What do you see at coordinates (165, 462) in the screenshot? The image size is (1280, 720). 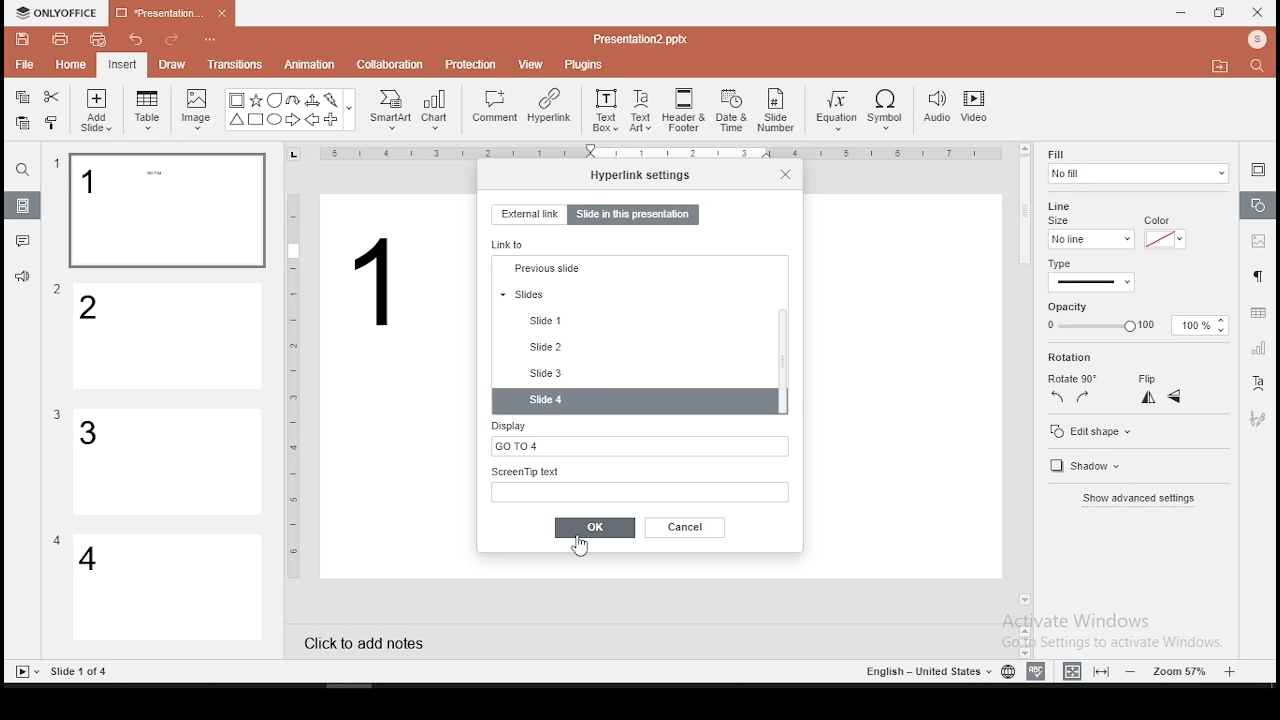 I see `slide 3` at bounding box center [165, 462].